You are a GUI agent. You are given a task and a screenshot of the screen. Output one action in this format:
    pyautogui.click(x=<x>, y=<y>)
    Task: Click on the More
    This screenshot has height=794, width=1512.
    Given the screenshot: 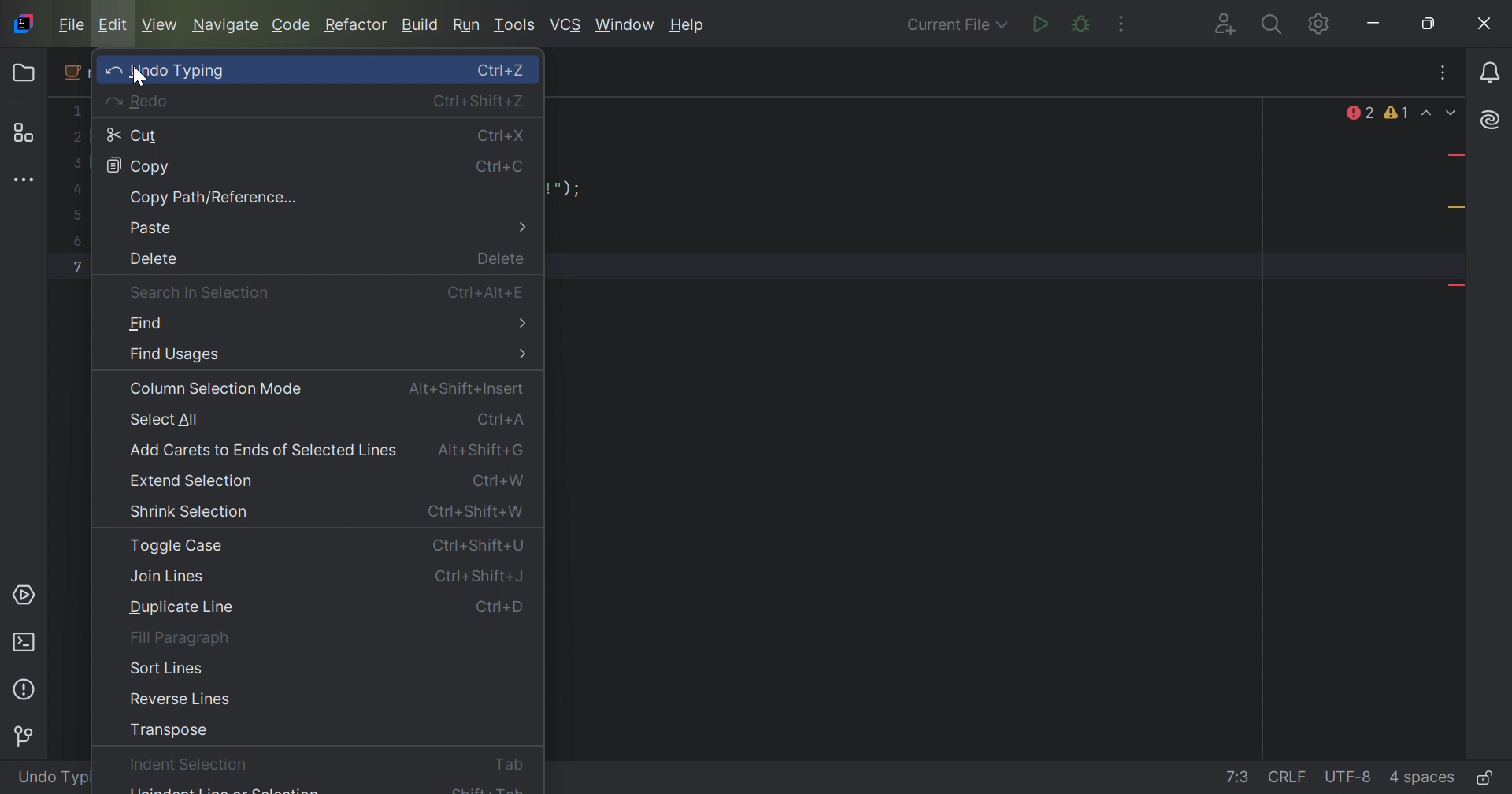 What is the action you would take?
    pyautogui.click(x=521, y=354)
    